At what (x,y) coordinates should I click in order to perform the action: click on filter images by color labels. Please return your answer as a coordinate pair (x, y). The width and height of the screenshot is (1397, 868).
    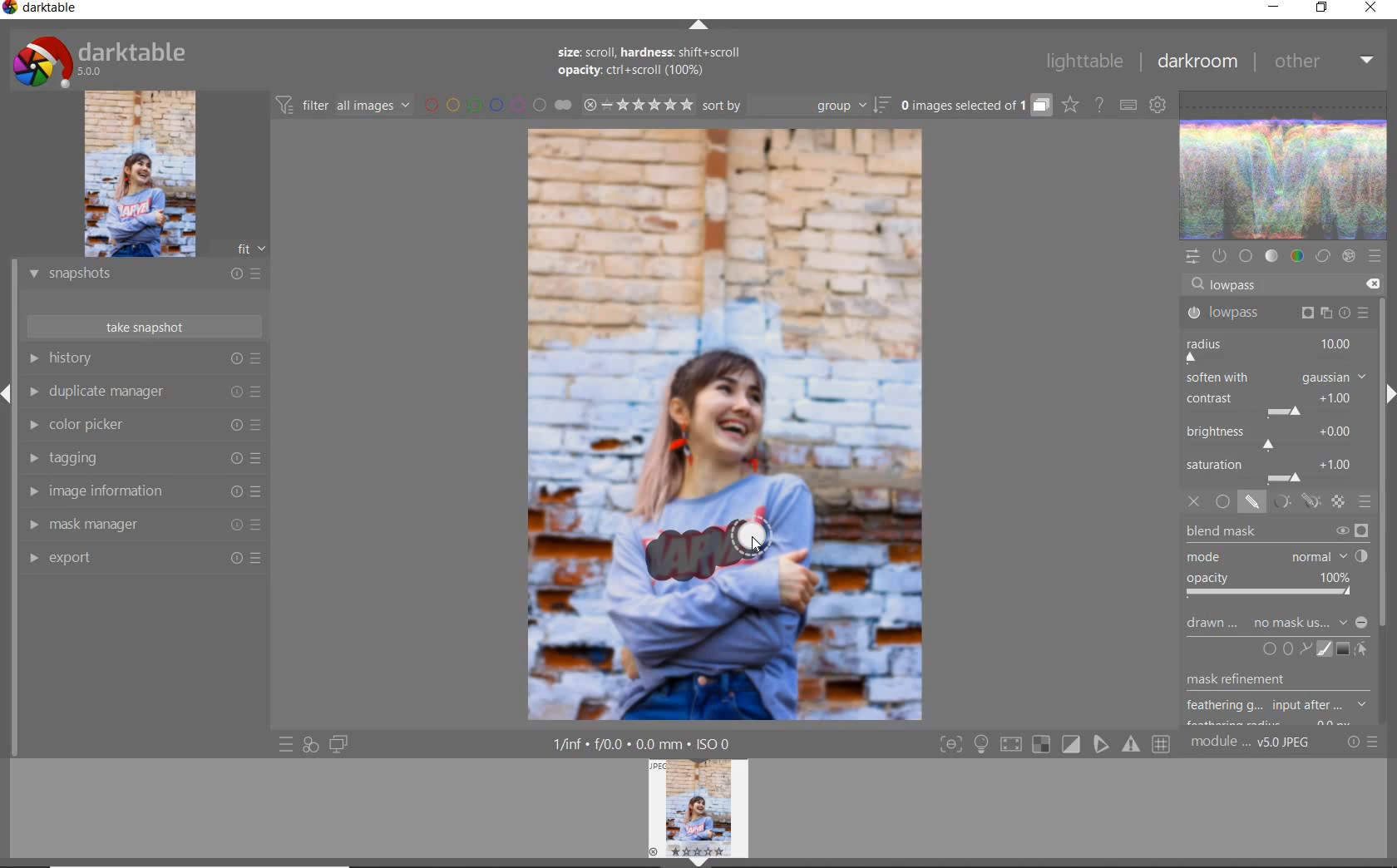
    Looking at the image, I should click on (497, 106).